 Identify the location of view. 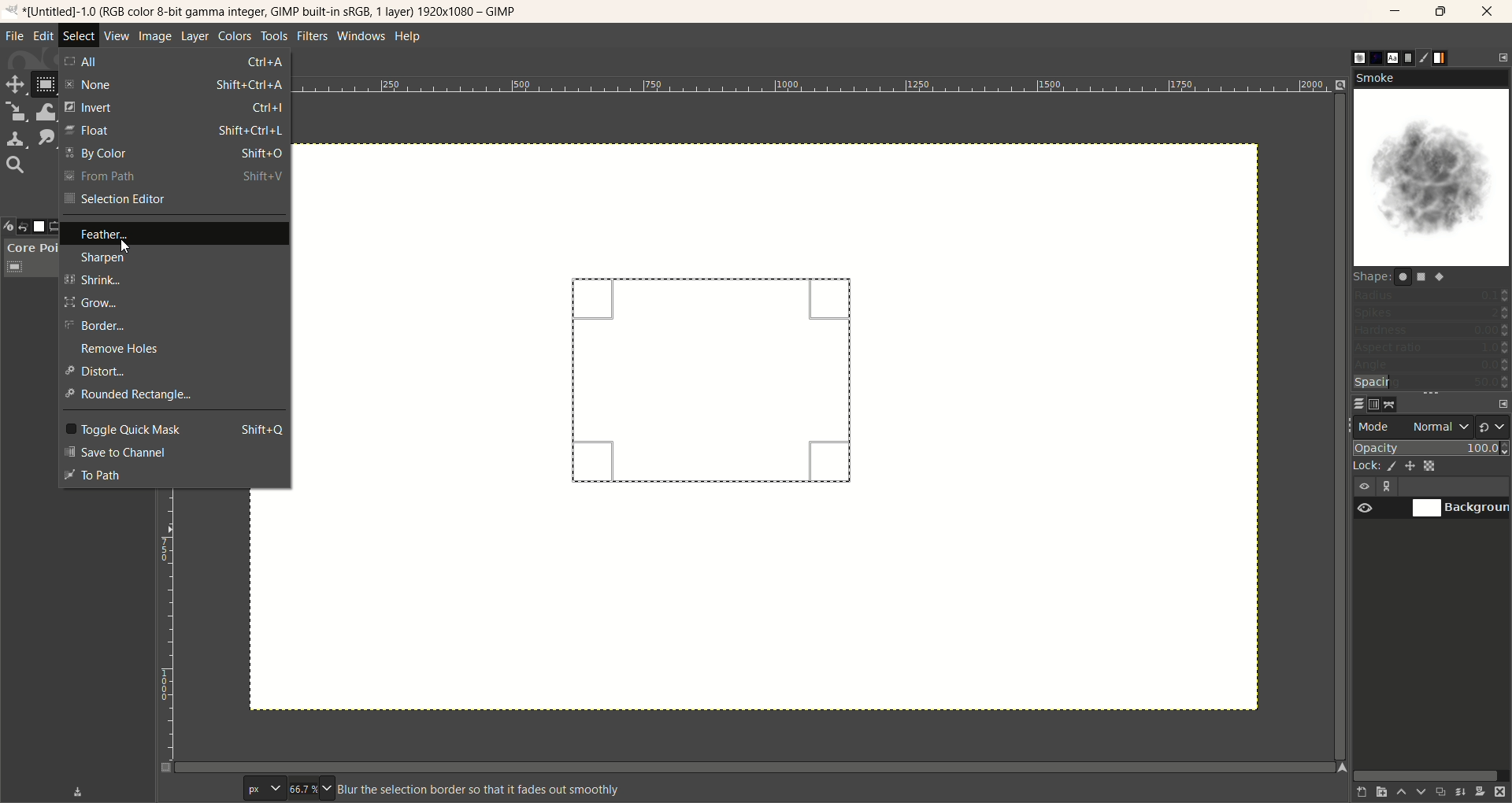
(117, 37).